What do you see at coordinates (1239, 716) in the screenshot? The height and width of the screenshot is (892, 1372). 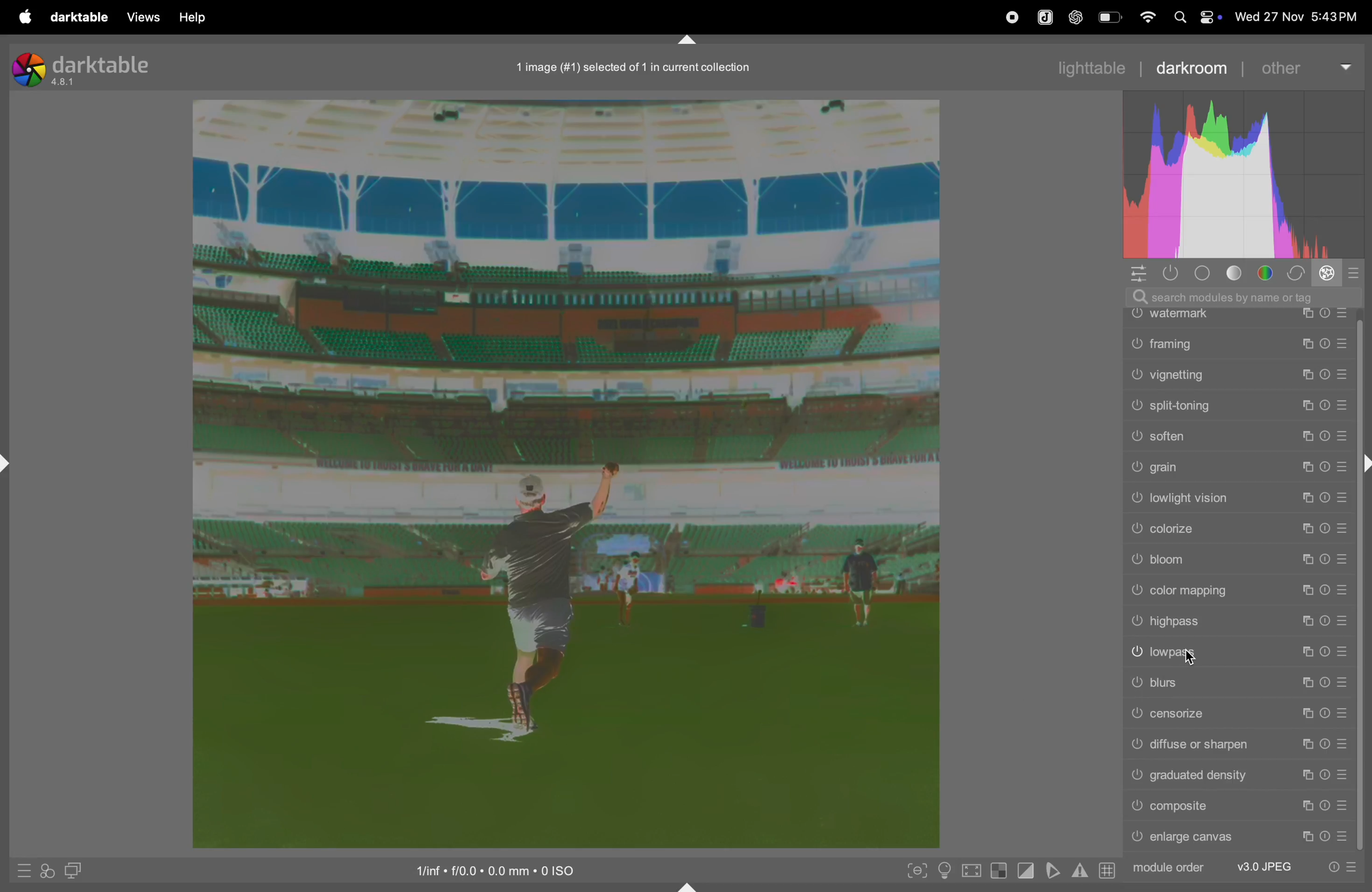 I see `cencorize` at bounding box center [1239, 716].